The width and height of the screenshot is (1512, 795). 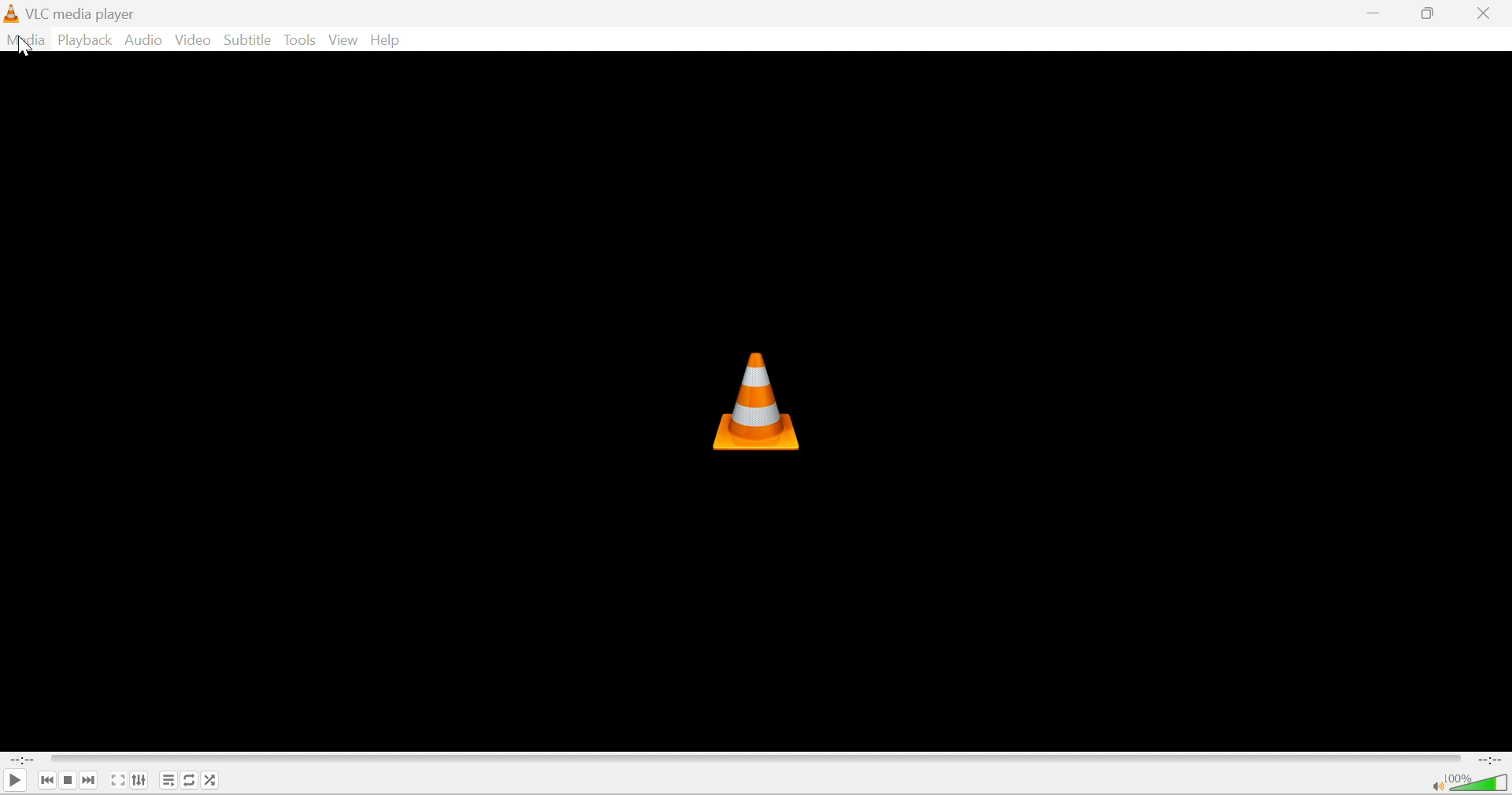 I want to click on Toggle playlist, so click(x=168, y=780).